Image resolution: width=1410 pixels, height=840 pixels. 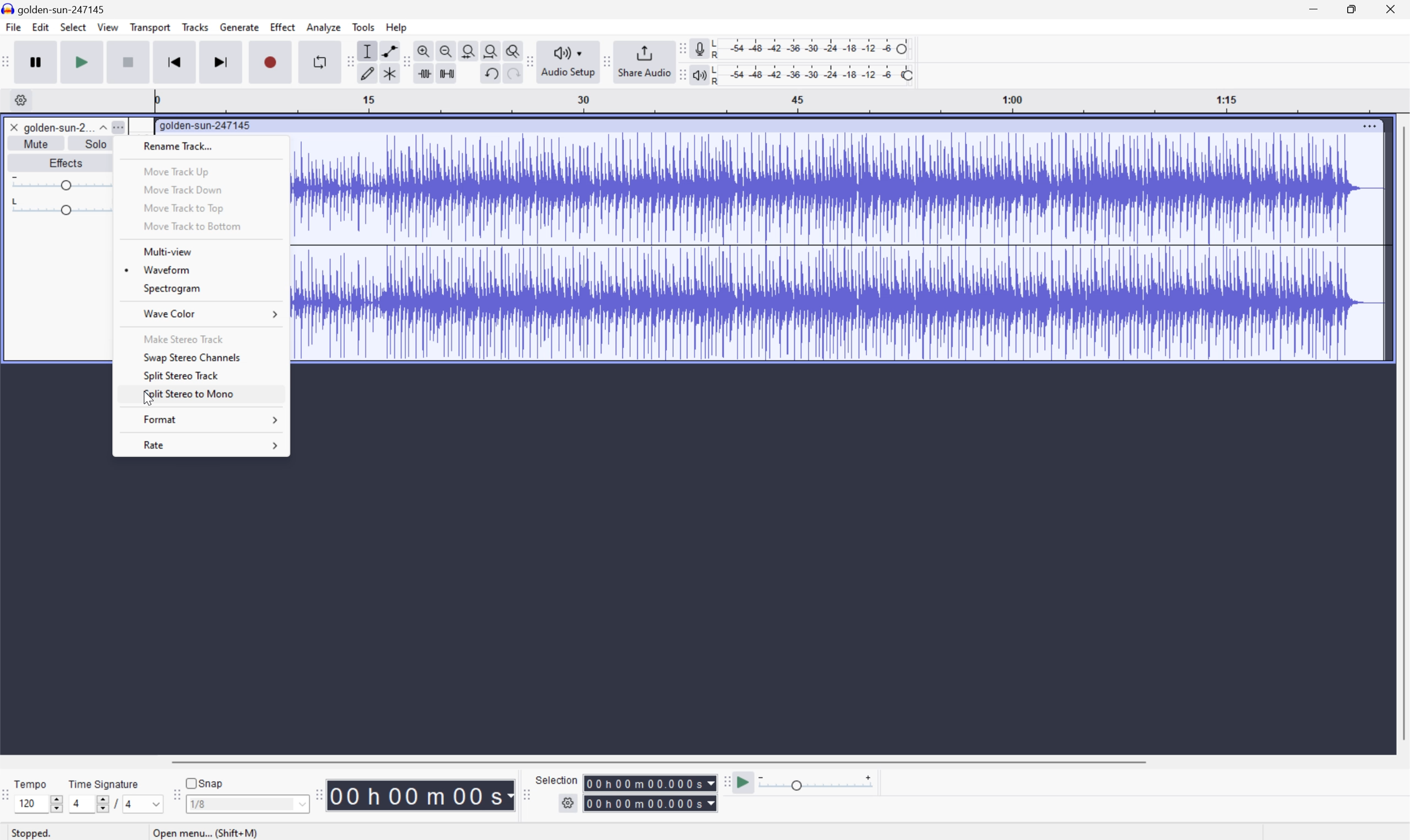 What do you see at coordinates (494, 74) in the screenshot?
I see `Undo` at bounding box center [494, 74].